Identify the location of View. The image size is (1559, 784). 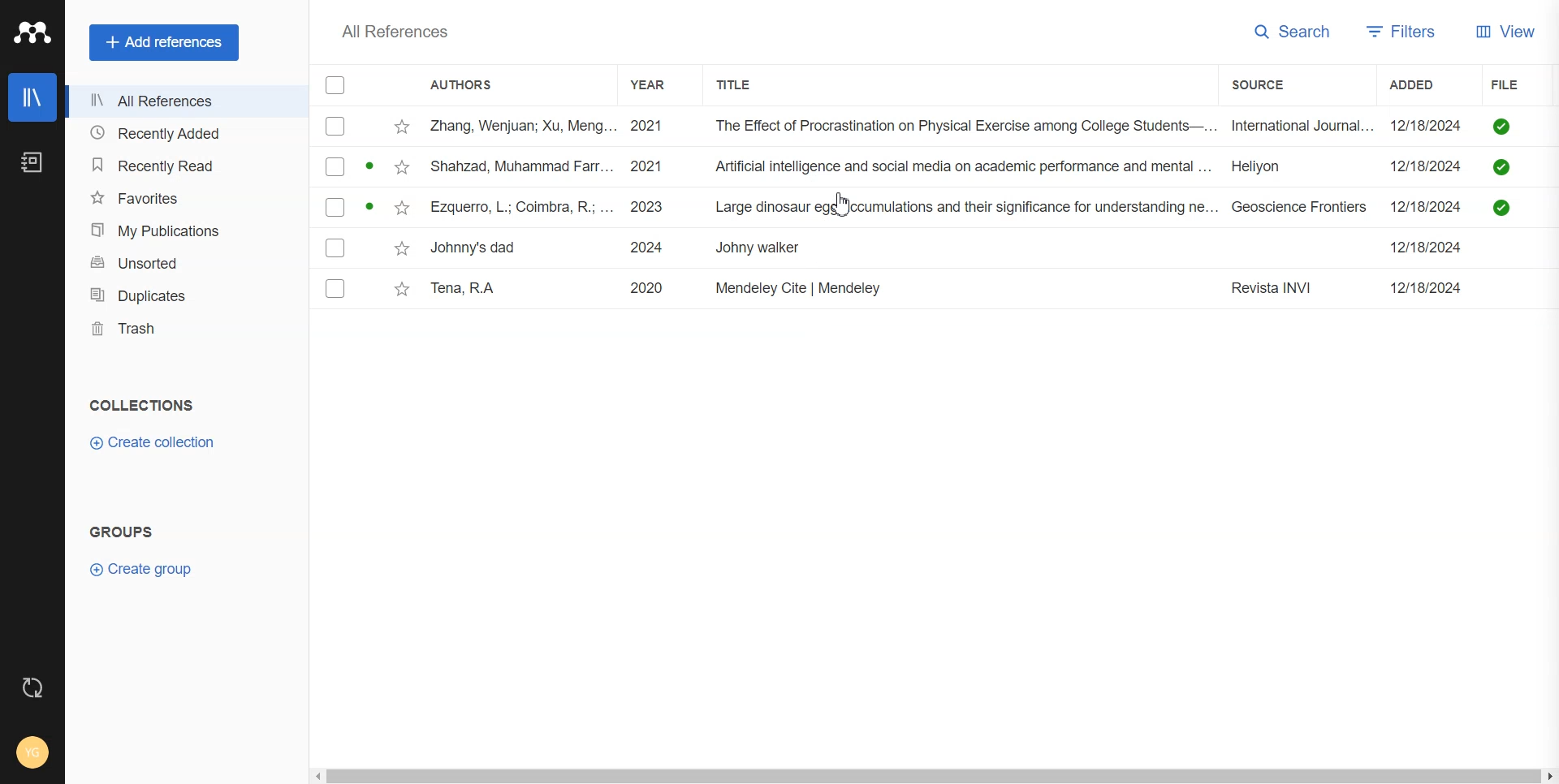
(1505, 31).